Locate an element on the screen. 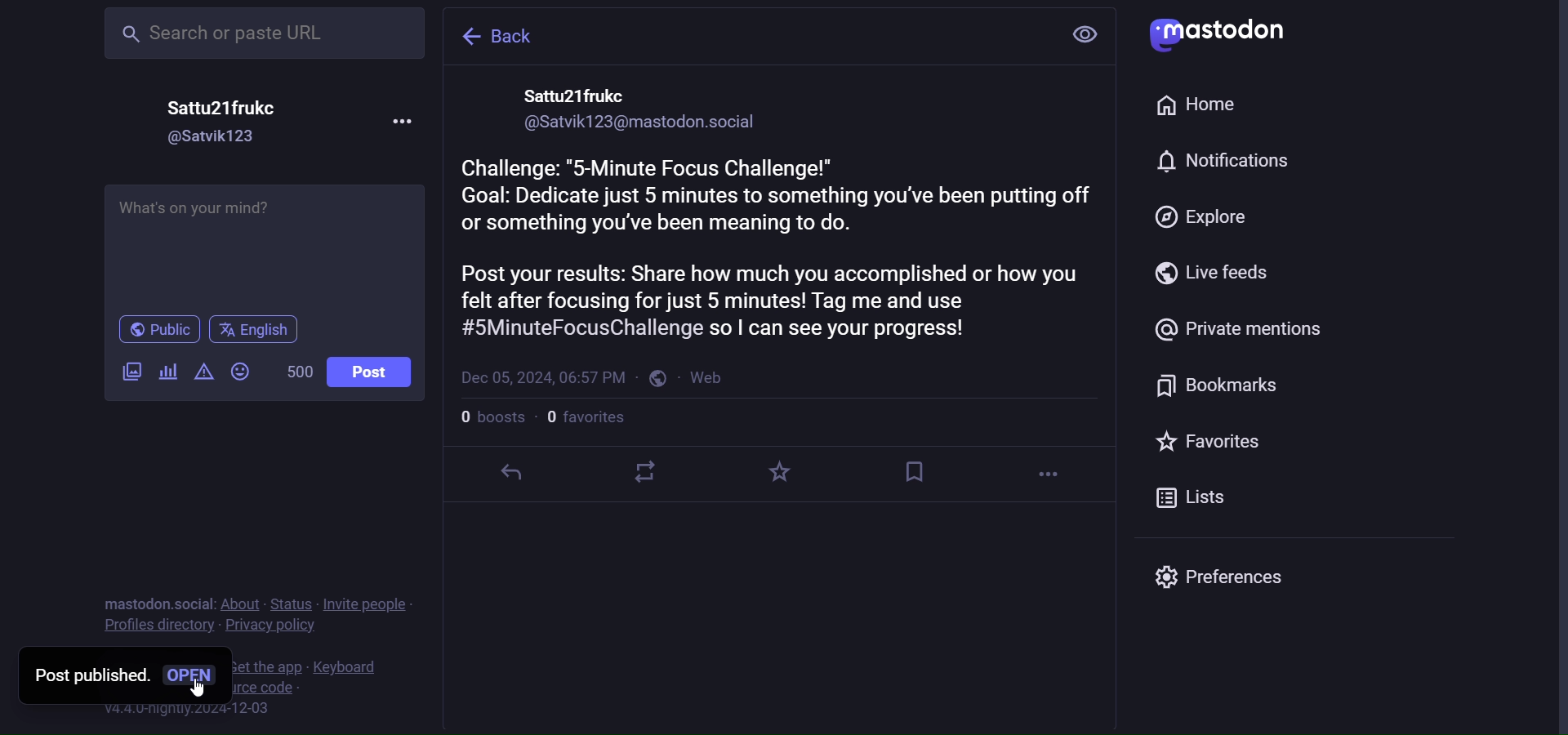 This screenshot has width=1568, height=735. get the app is located at coordinates (269, 667).